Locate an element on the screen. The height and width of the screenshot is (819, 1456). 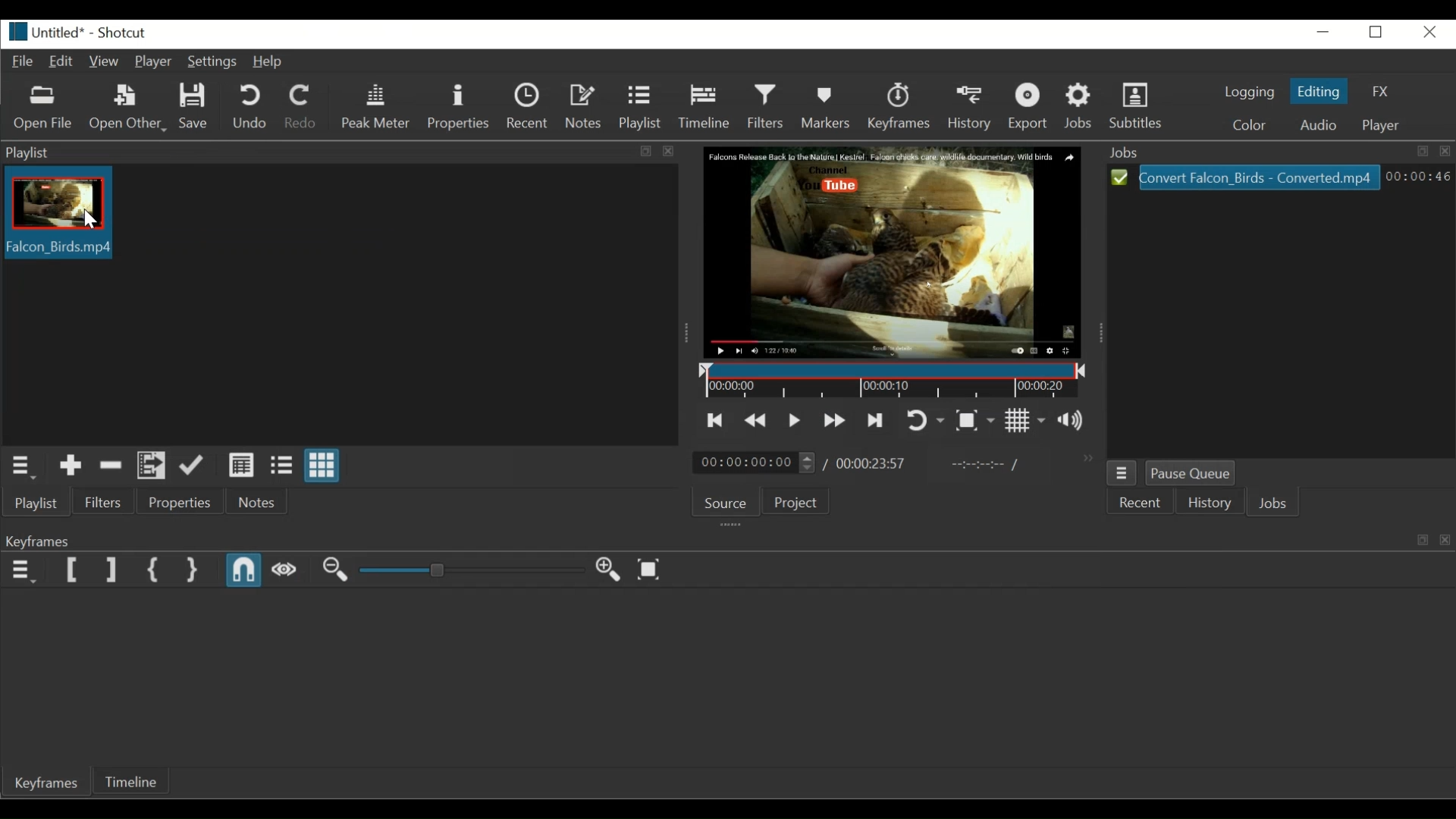
Export is located at coordinates (1030, 107).